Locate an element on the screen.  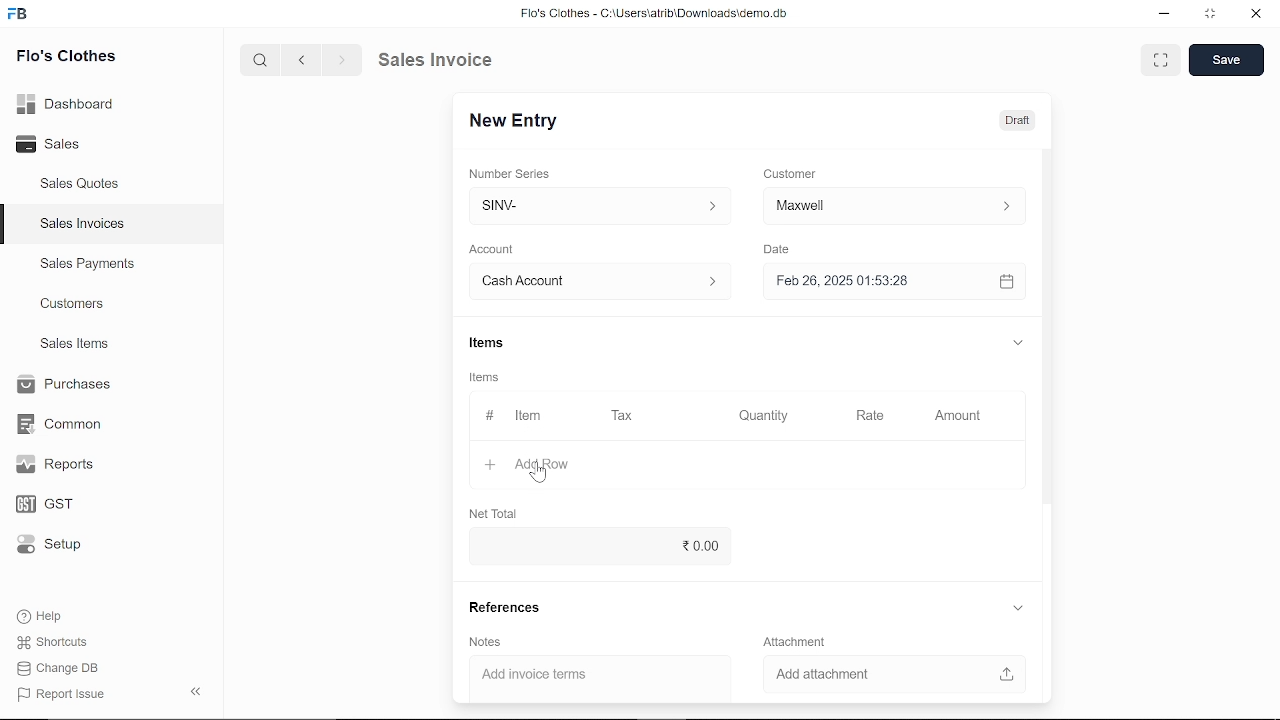
New Entry is located at coordinates (521, 121).